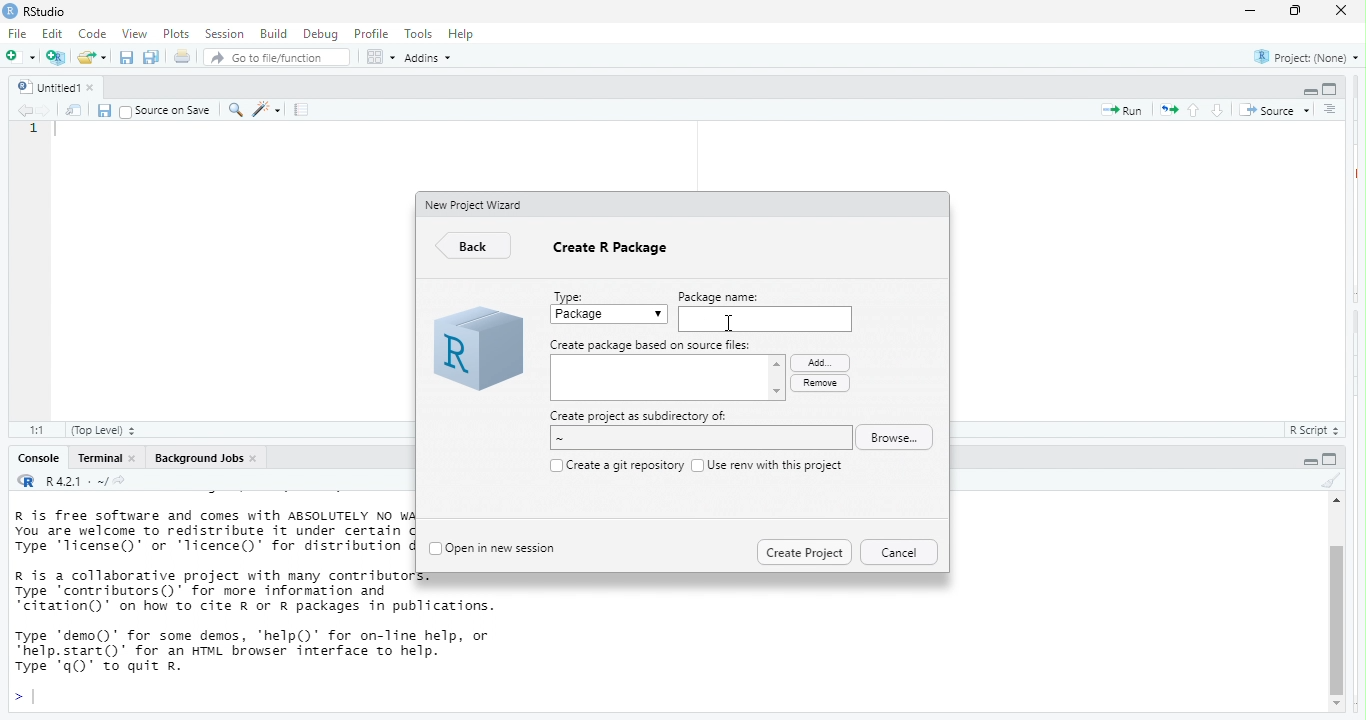 The height and width of the screenshot is (720, 1366). I want to click on close, so click(258, 458).